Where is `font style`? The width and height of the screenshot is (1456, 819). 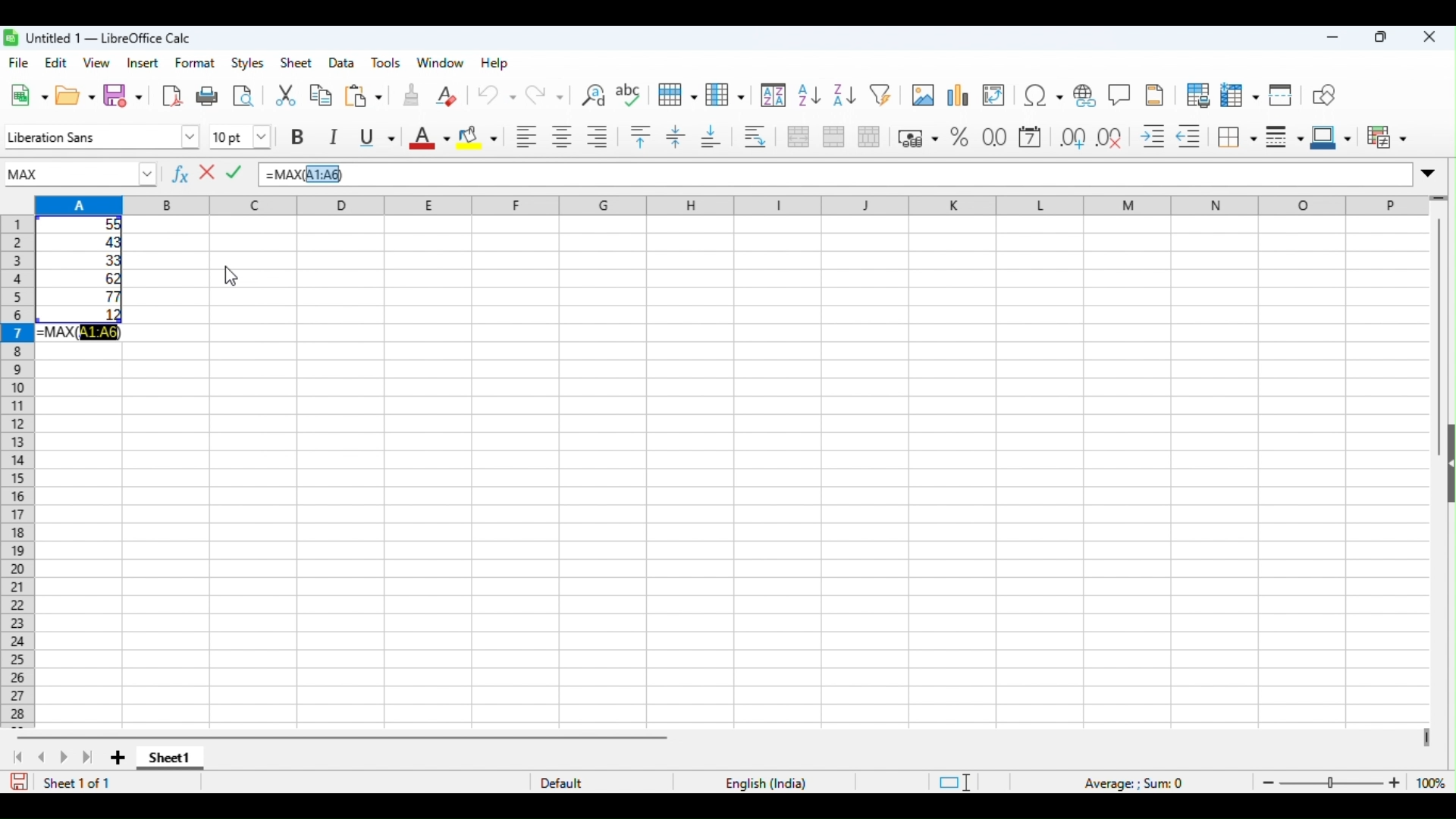
font style is located at coordinates (86, 137).